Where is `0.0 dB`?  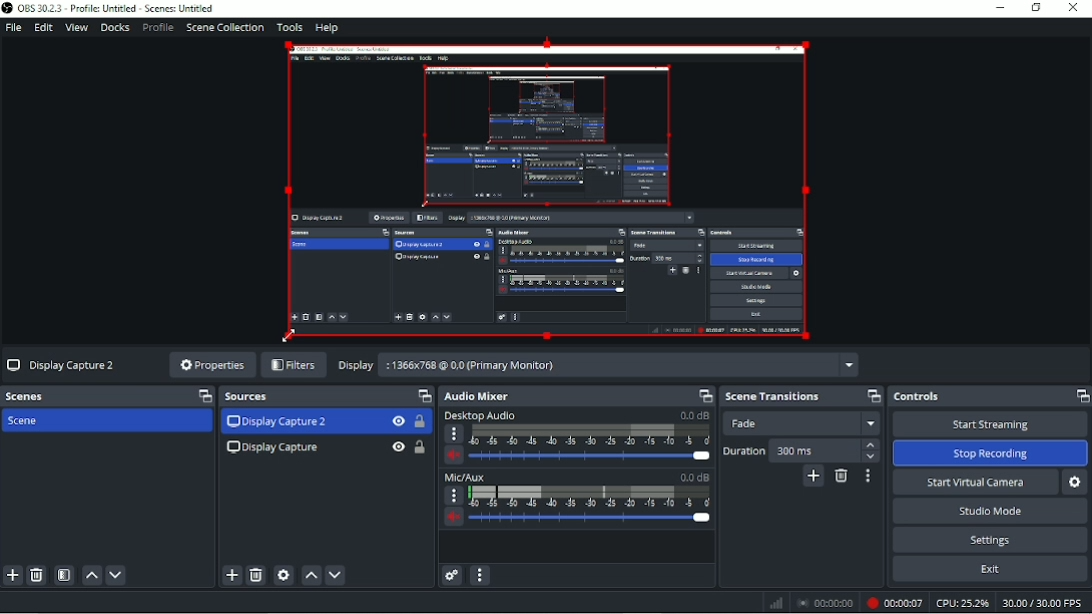
0.0 dB is located at coordinates (694, 415).